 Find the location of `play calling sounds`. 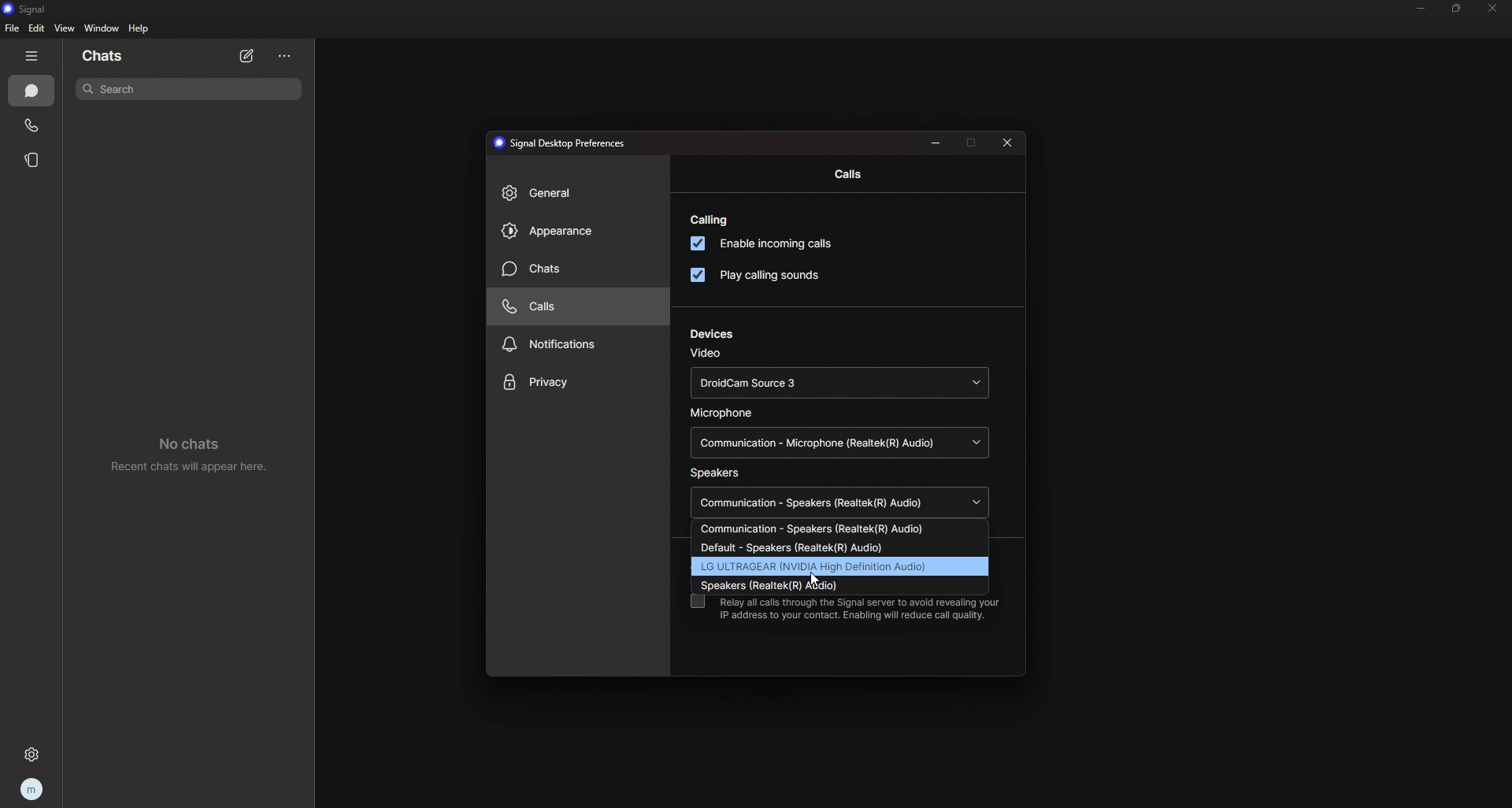

play calling sounds is located at coordinates (758, 273).